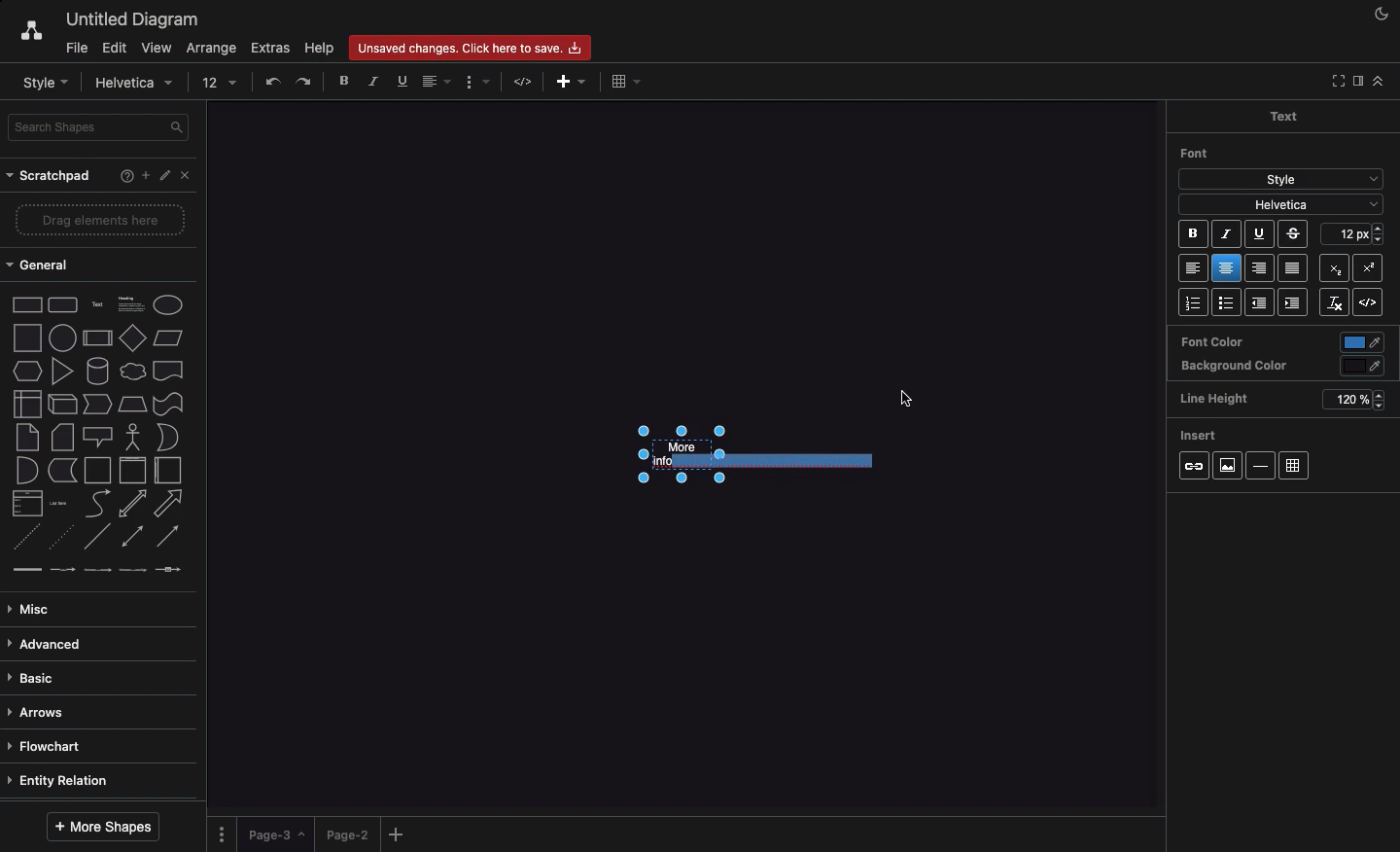  I want to click on 12, so click(221, 83).